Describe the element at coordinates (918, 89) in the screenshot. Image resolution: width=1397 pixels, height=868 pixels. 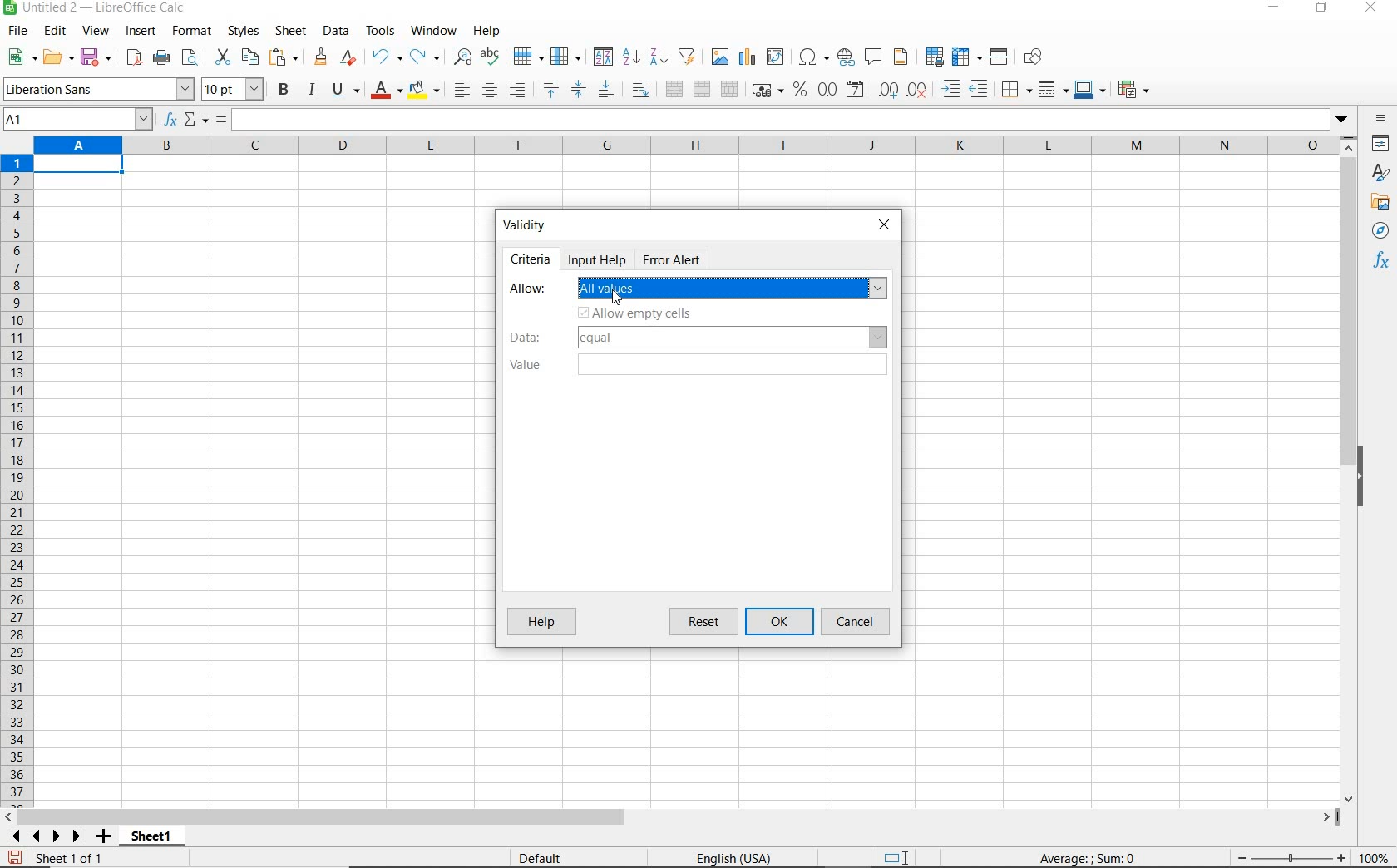
I see `delete decimal place` at that location.